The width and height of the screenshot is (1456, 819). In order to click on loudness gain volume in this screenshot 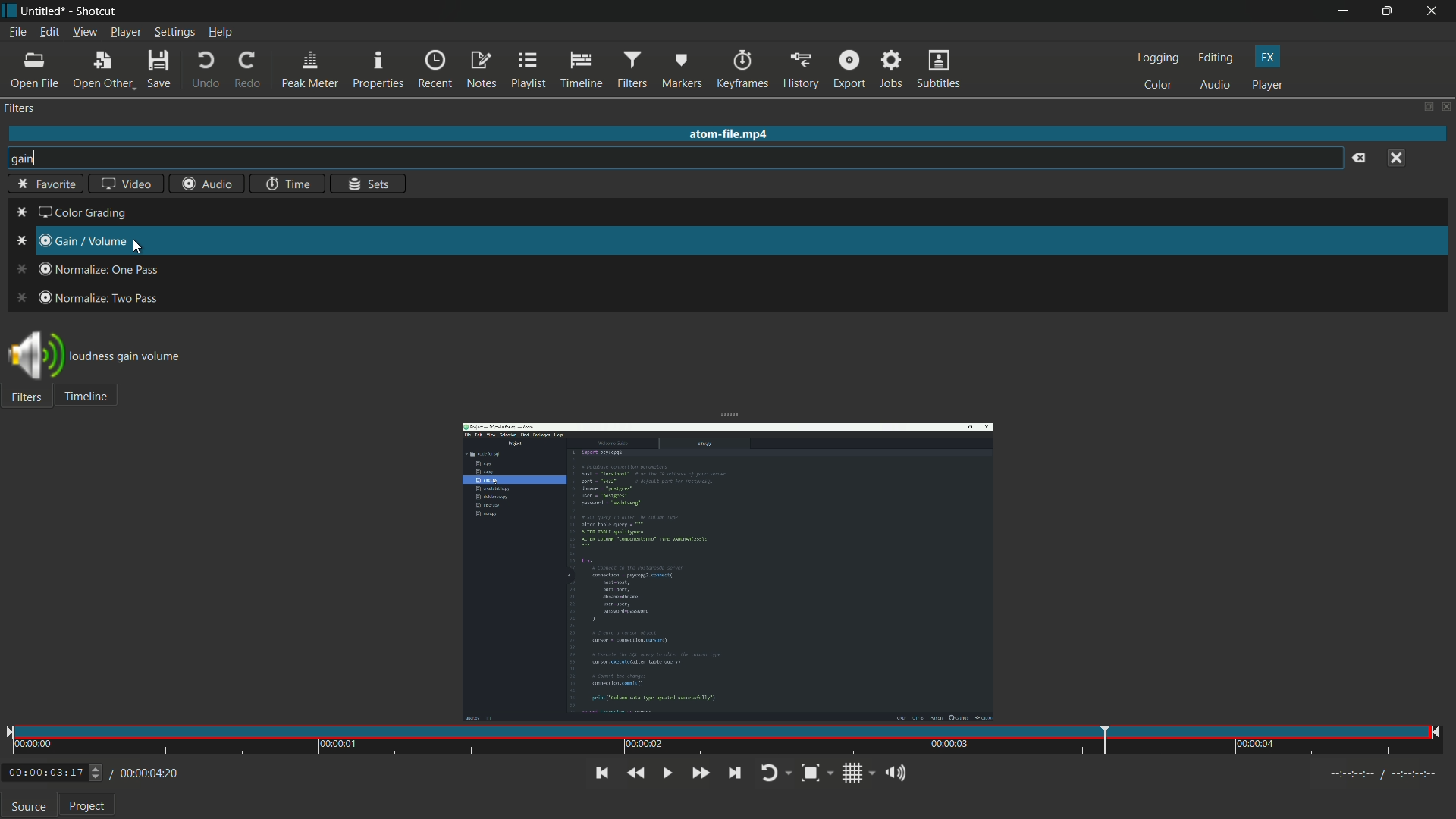, I will do `click(136, 354)`.